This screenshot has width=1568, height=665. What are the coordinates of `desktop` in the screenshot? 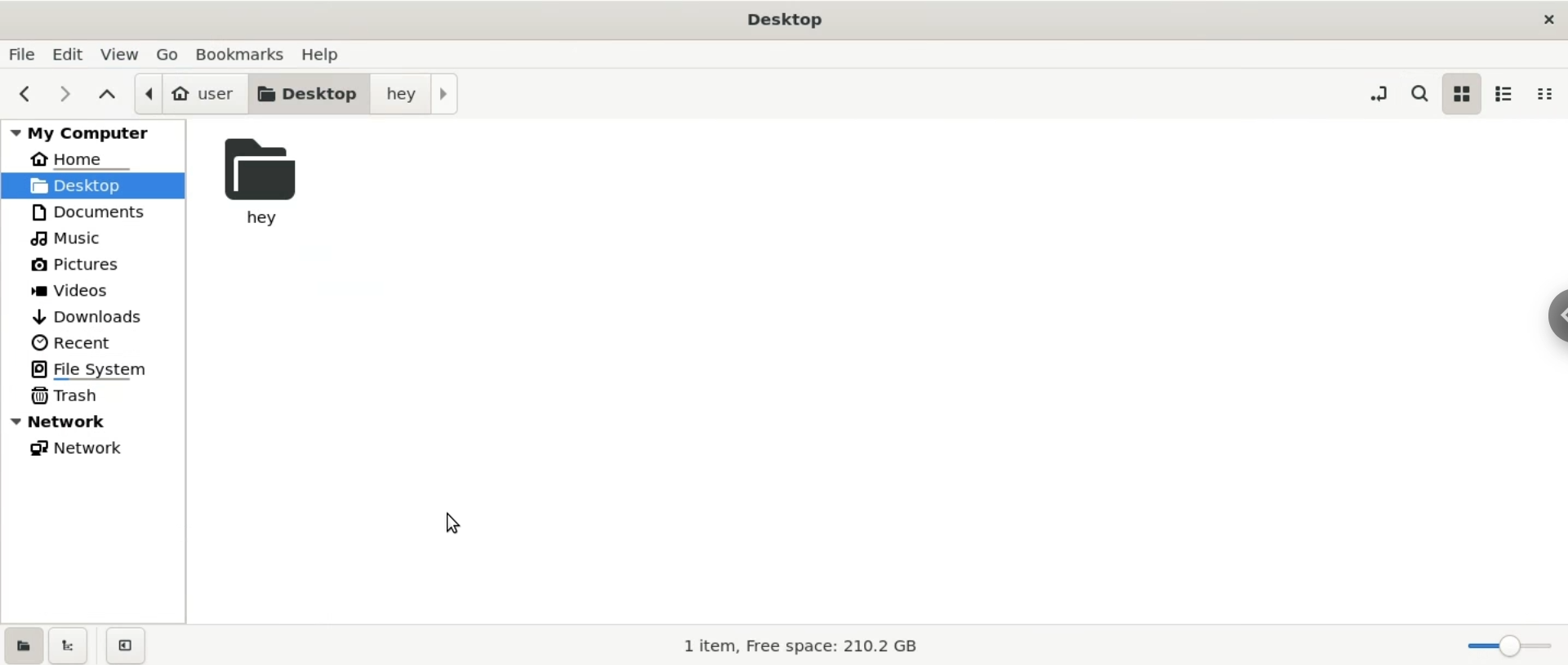 It's located at (314, 94).